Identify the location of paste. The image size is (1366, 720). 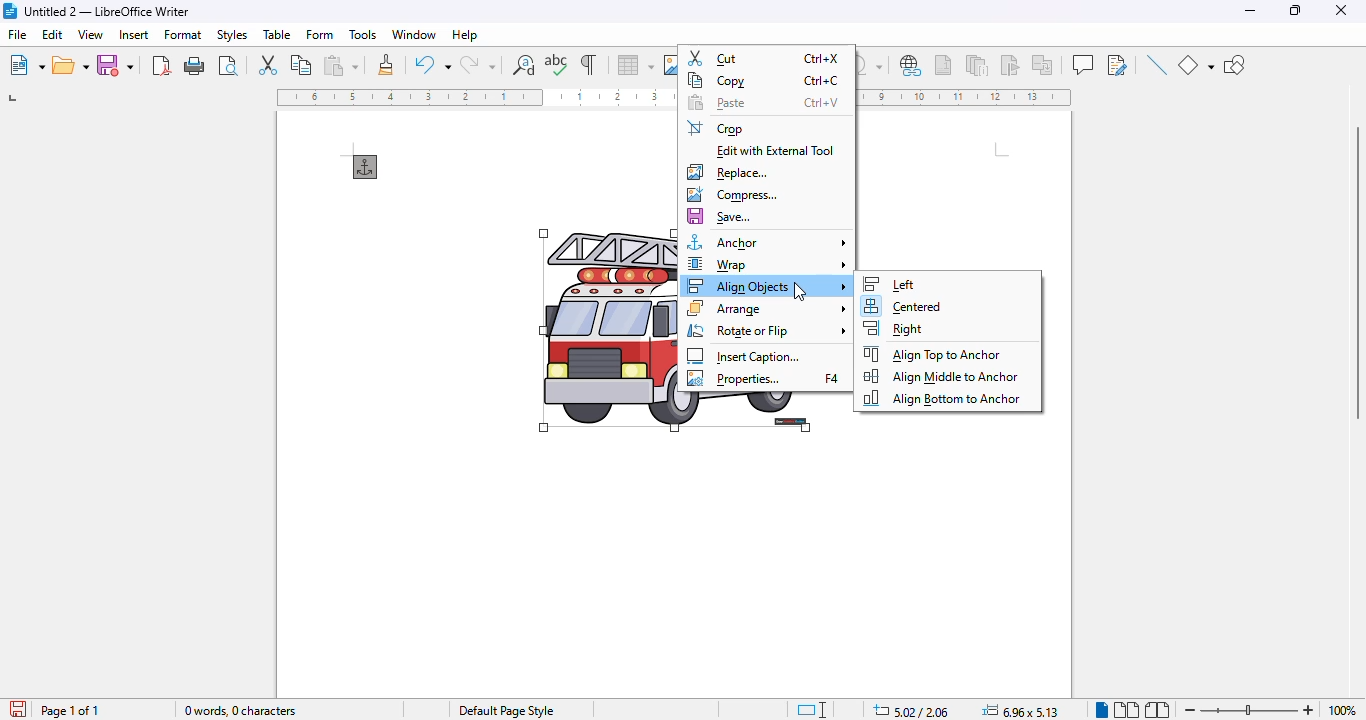
(341, 65).